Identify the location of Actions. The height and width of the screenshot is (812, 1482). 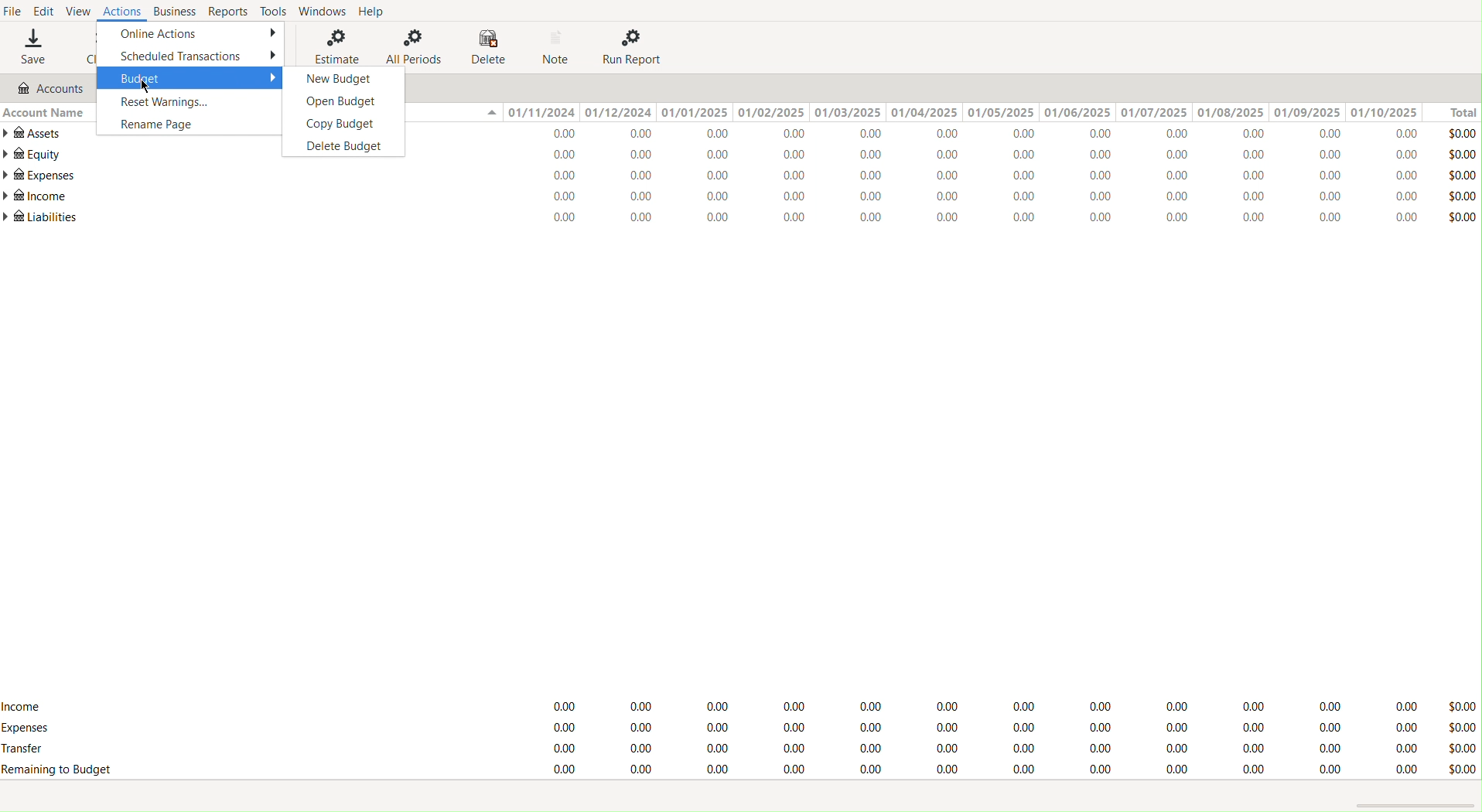
(125, 12).